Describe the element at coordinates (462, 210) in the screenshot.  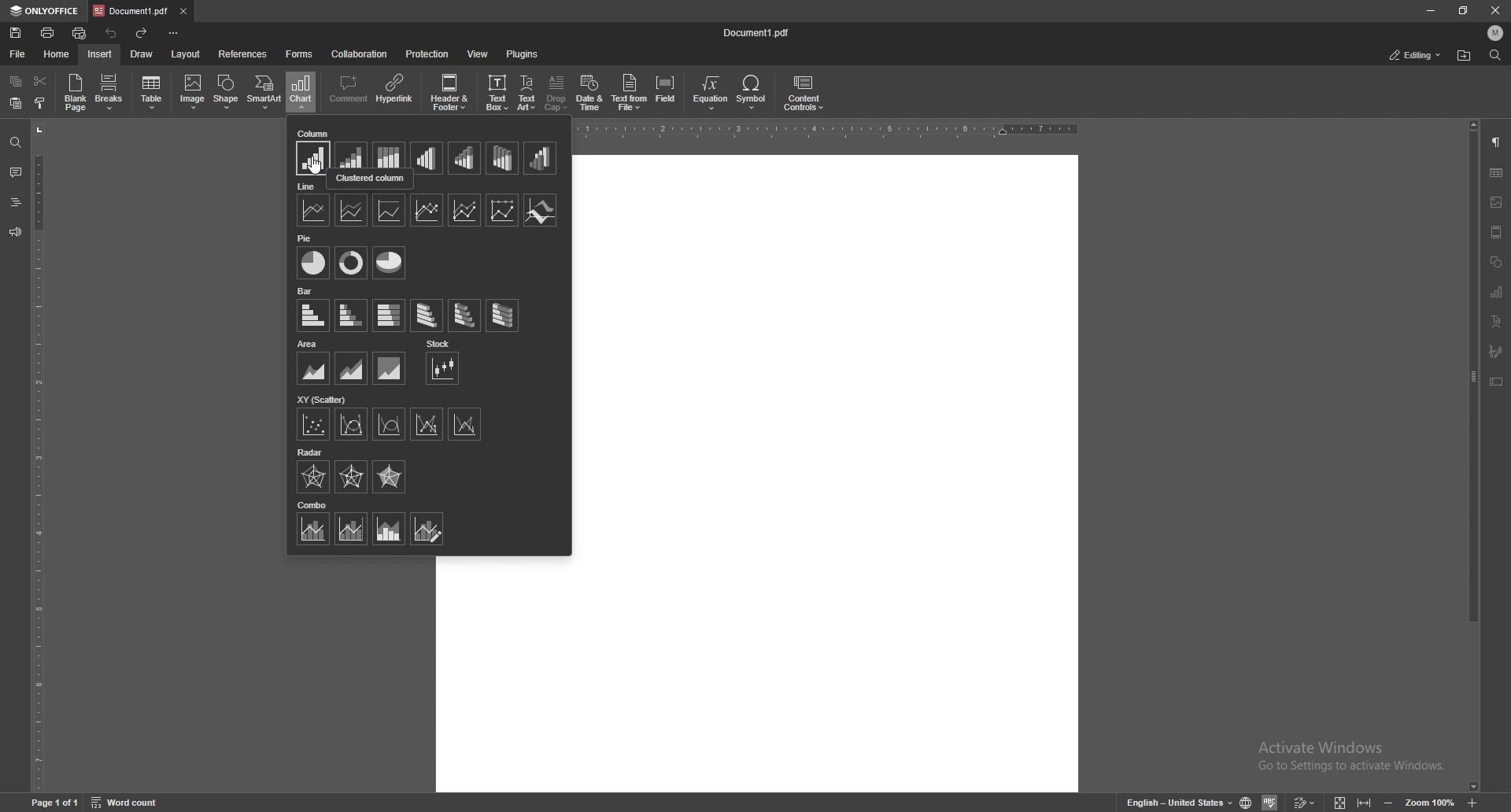
I see `stacked line with markers` at that location.